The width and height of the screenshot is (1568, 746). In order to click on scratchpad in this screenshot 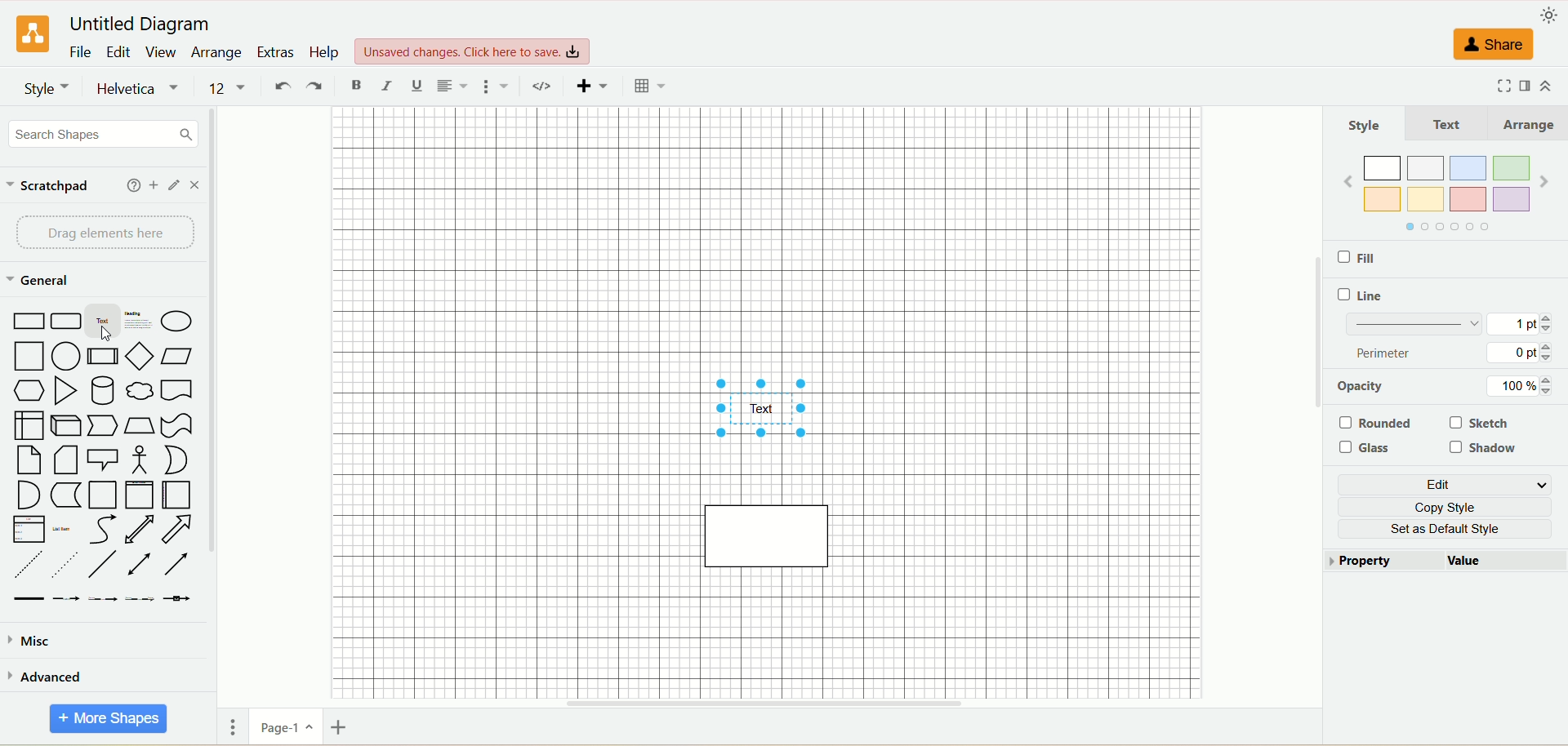, I will do `click(56, 184)`.